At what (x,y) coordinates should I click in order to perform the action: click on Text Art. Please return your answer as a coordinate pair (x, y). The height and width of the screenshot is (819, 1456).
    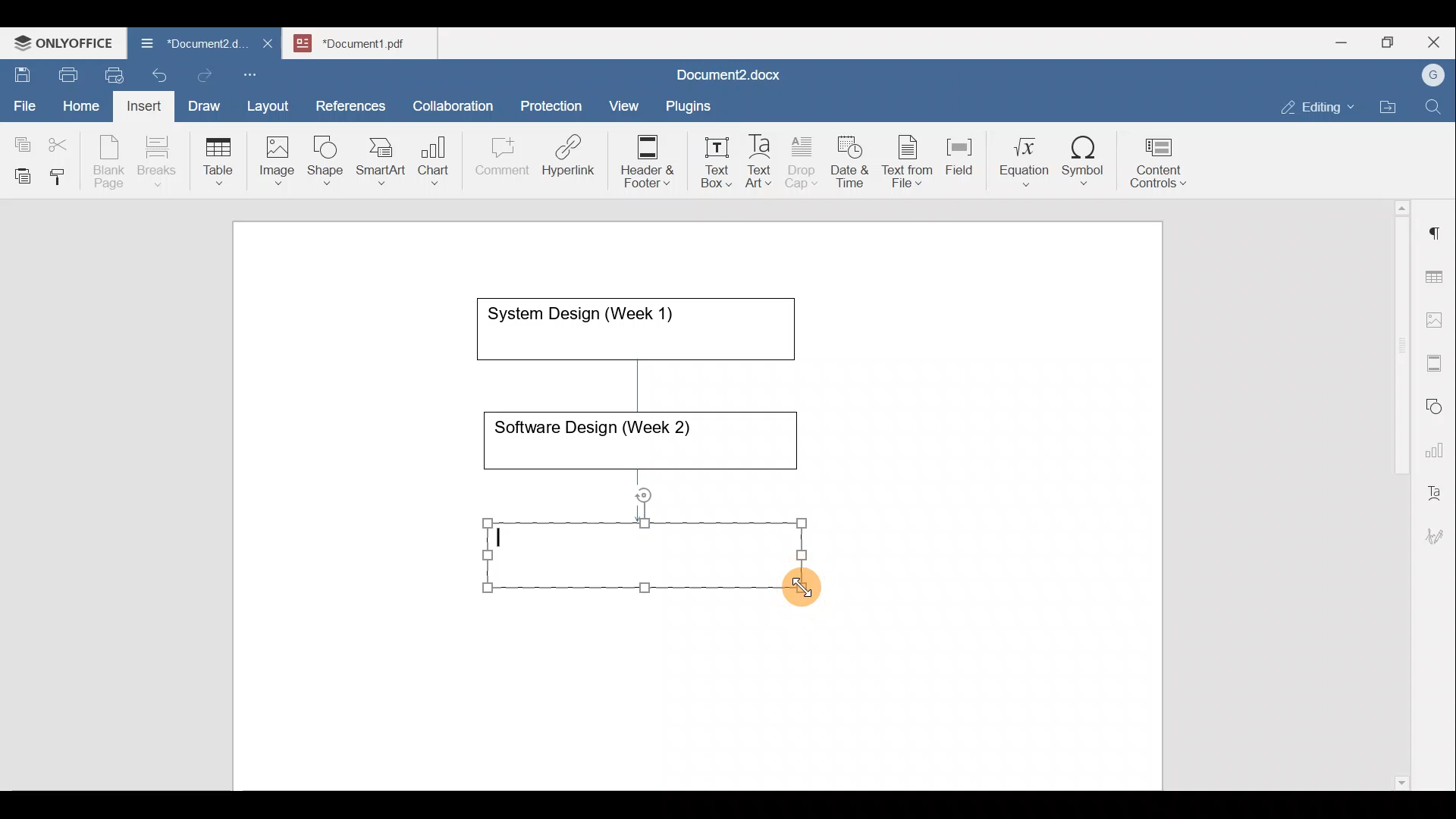
    Looking at the image, I should click on (760, 162).